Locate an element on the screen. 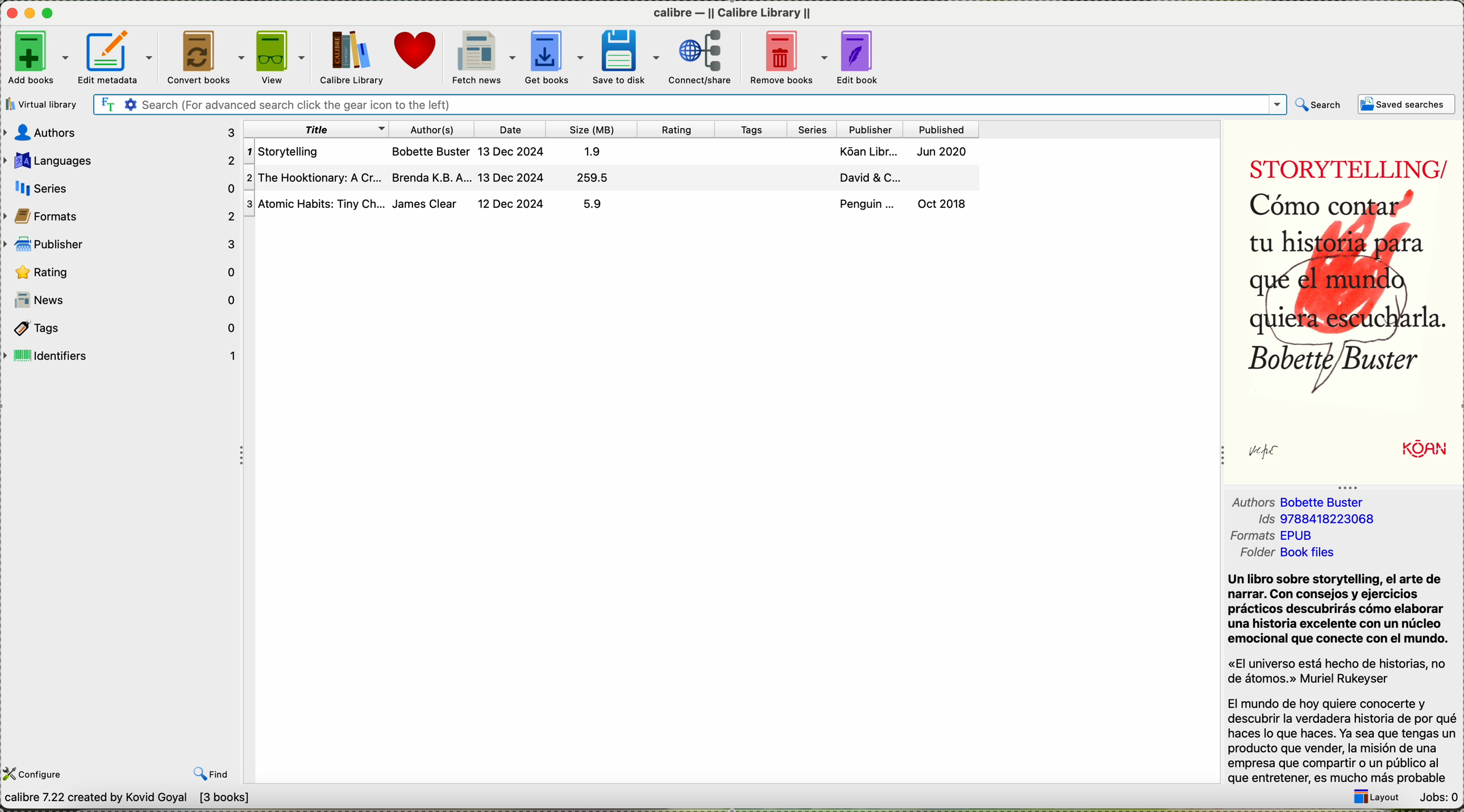  5.9 is located at coordinates (601, 204).